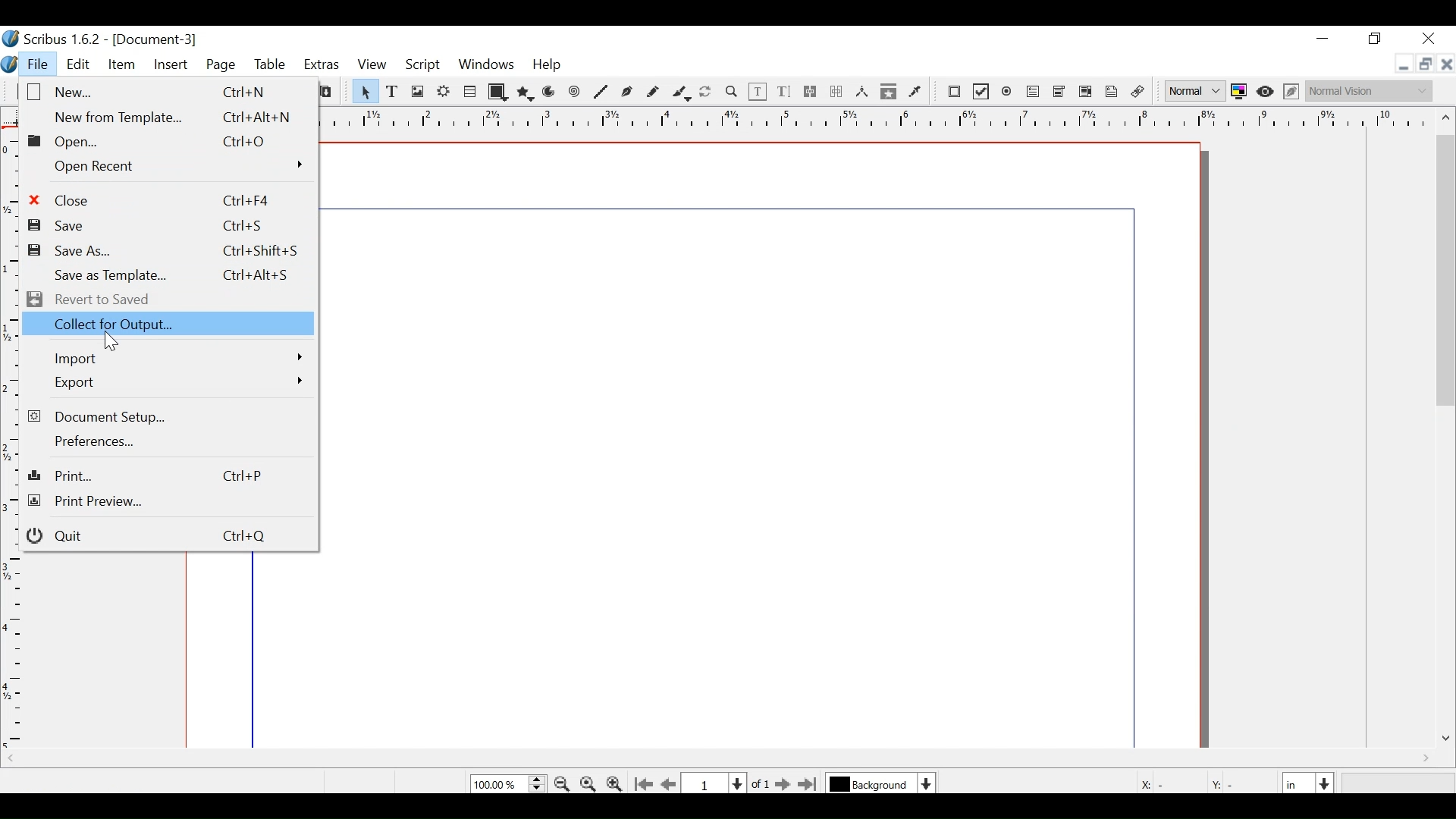 Image resolution: width=1456 pixels, height=819 pixels. Describe the element at coordinates (485, 67) in the screenshot. I see `Windows` at that location.